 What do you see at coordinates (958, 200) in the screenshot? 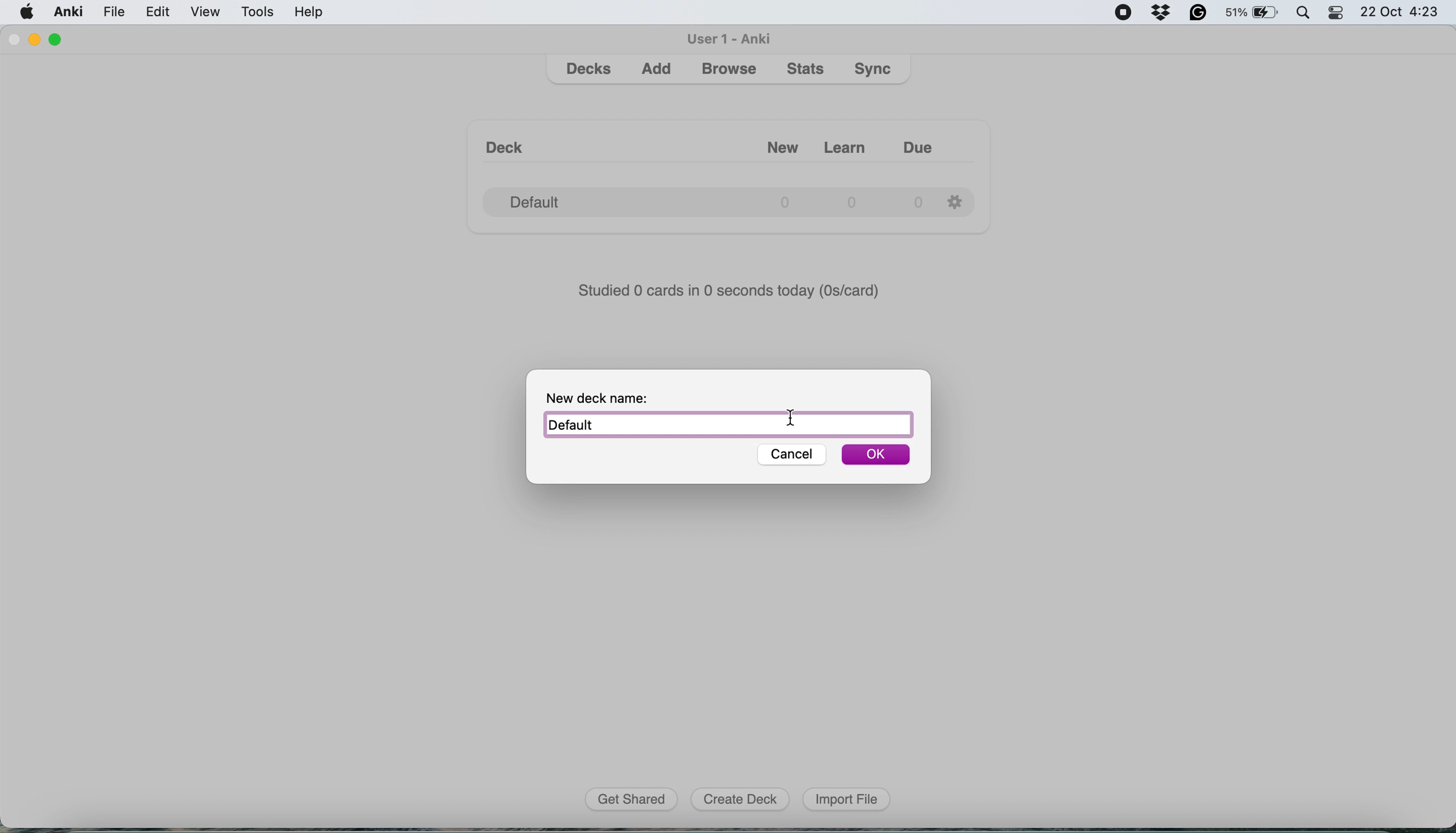
I see `Settings` at bounding box center [958, 200].